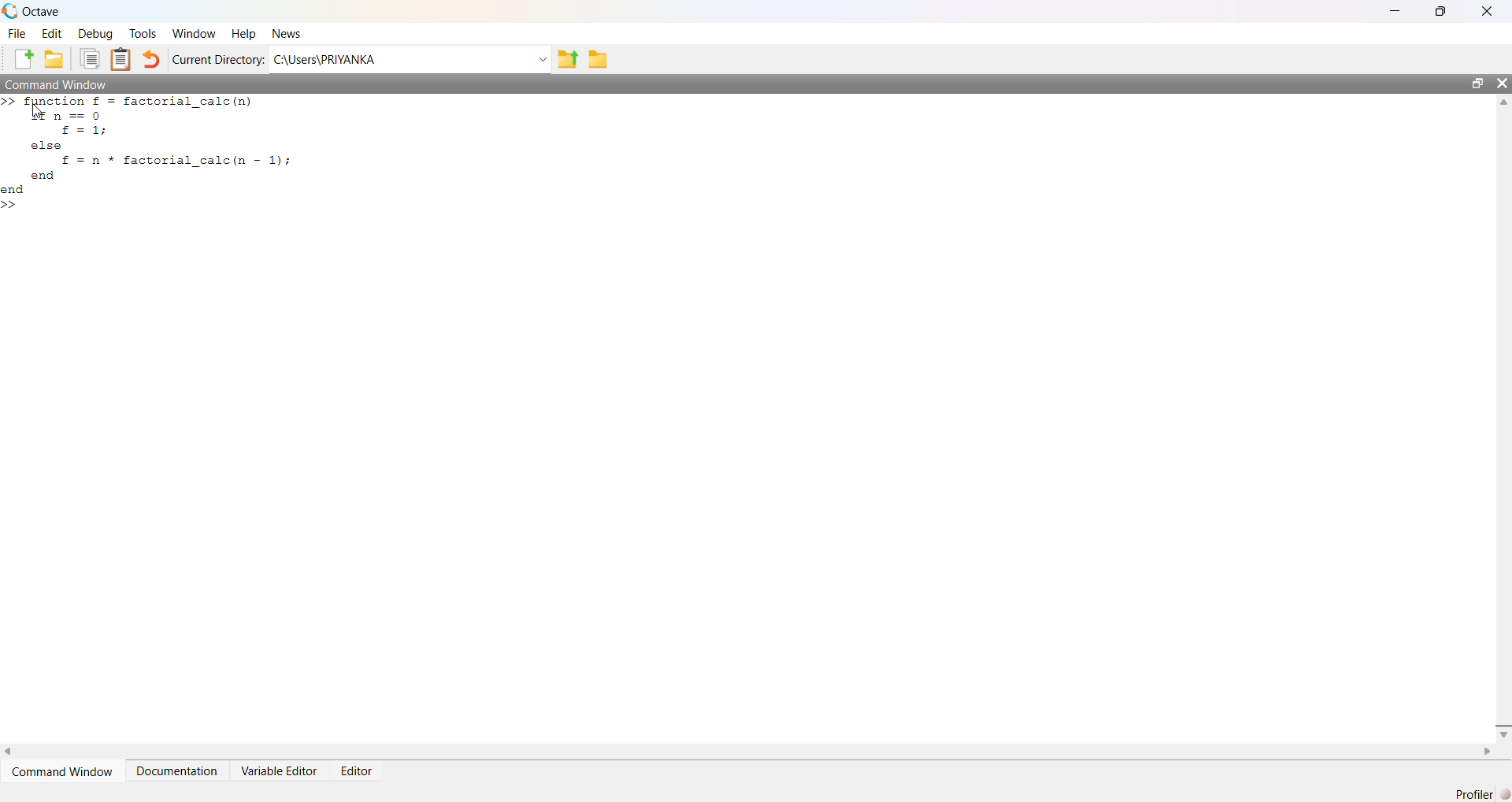 The image size is (1512, 802). What do you see at coordinates (54, 33) in the screenshot?
I see `edit` at bounding box center [54, 33].